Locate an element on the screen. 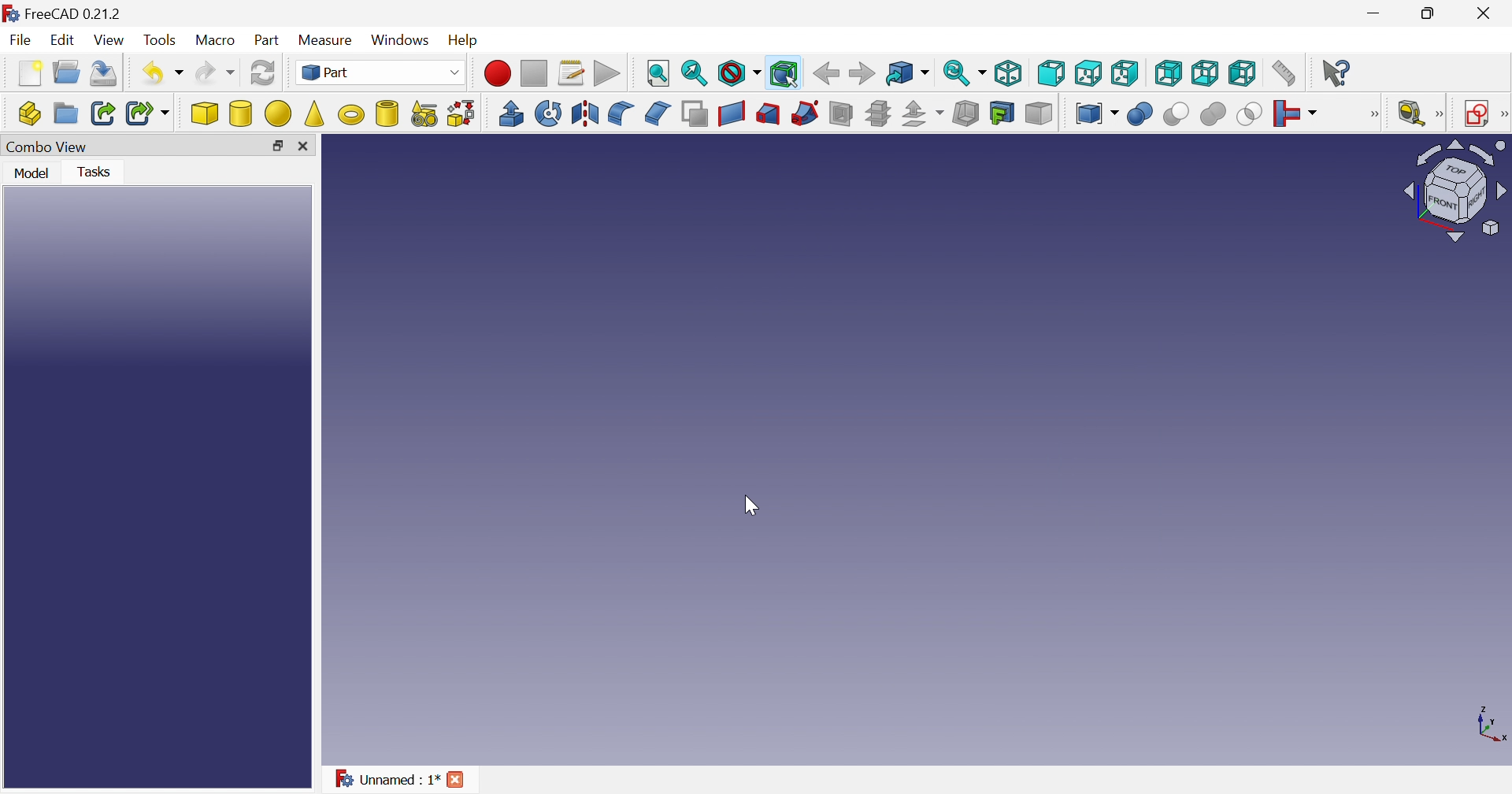 This screenshot has width=1512, height=794. Part is located at coordinates (267, 42).